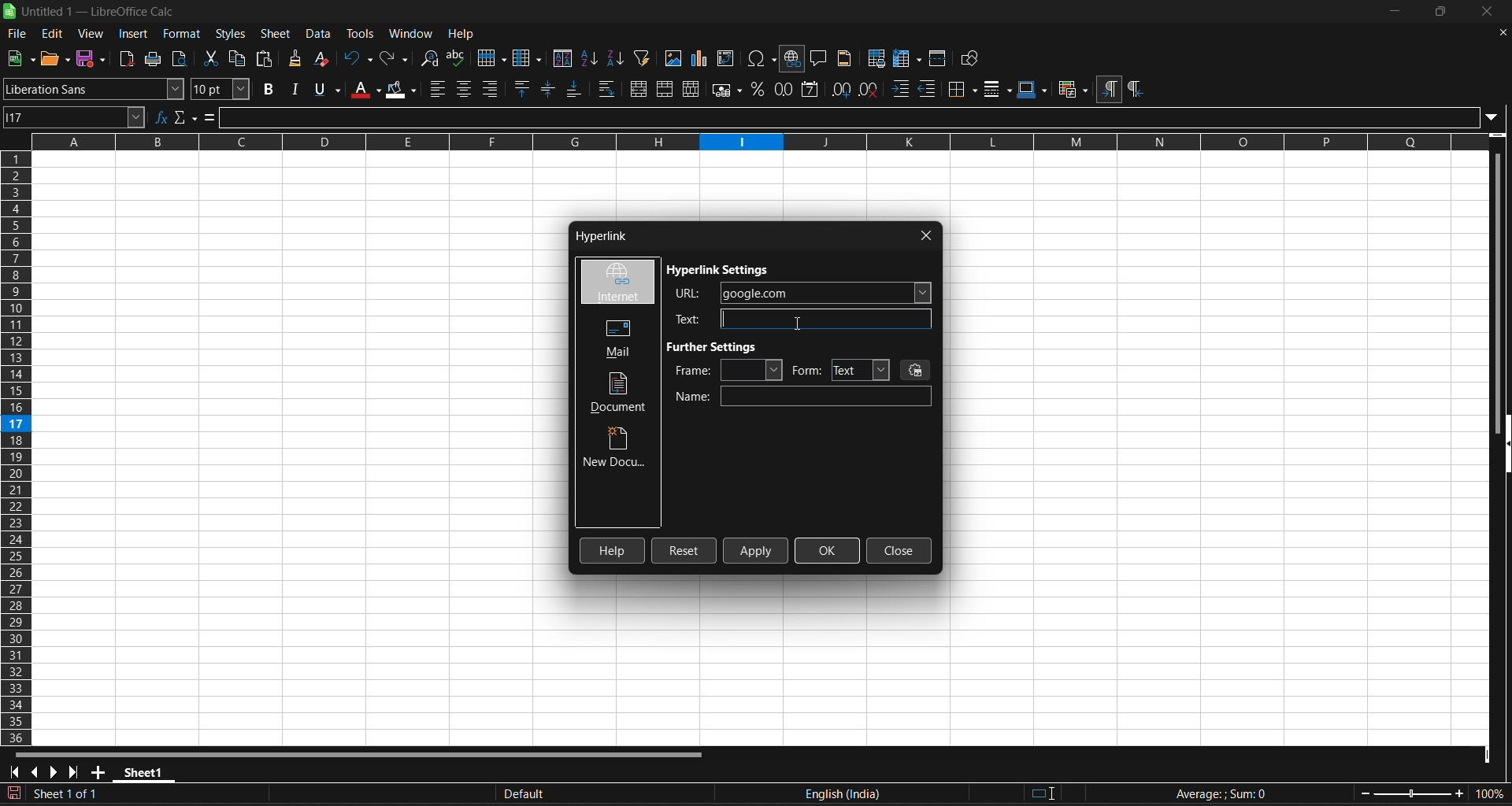  I want to click on scroll to first sheet, so click(13, 772).